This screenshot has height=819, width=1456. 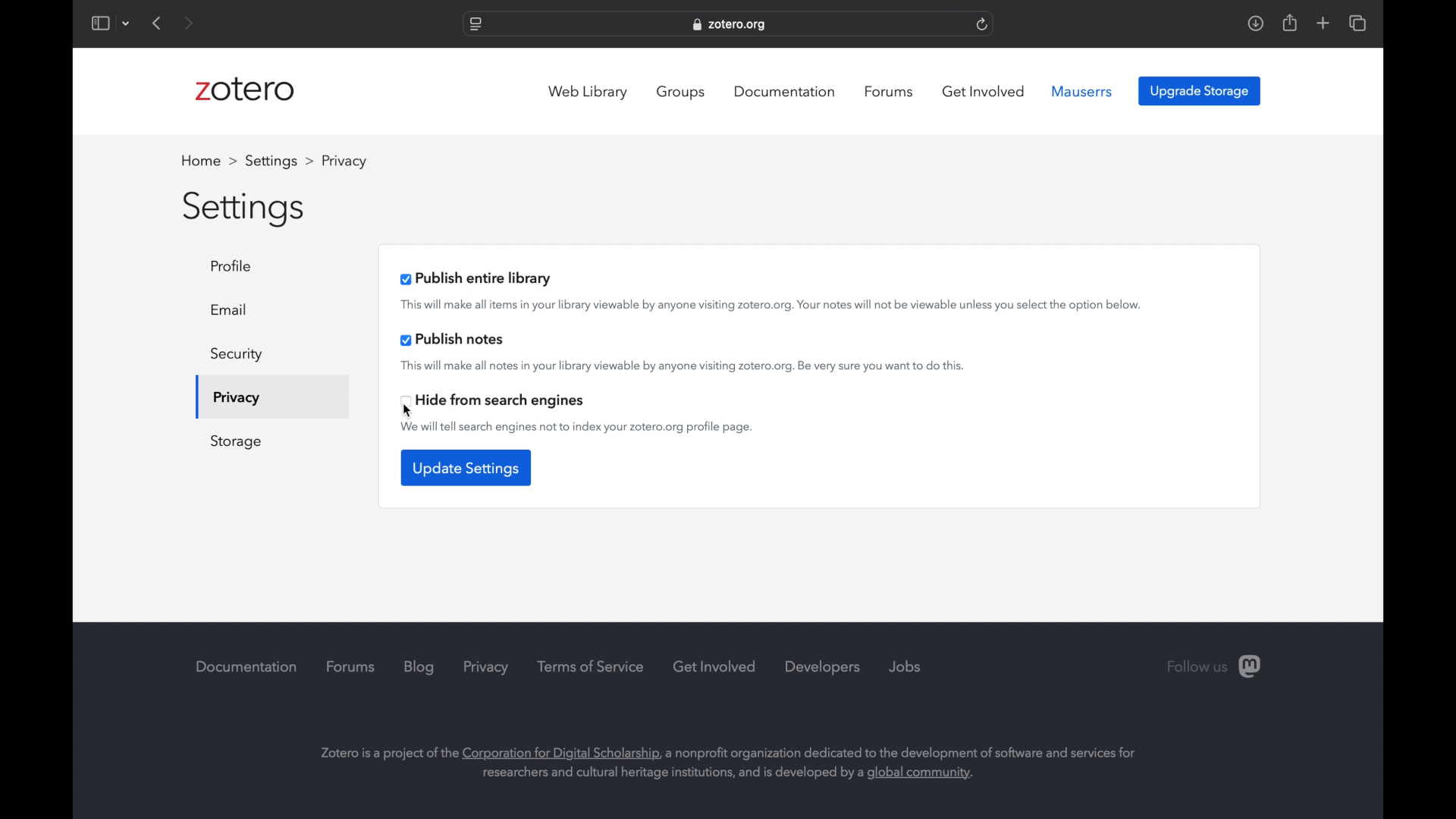 What do you see at coordinates (982, 25) in the screenshot?
I see `refresh` at bounding box center [982, 25].